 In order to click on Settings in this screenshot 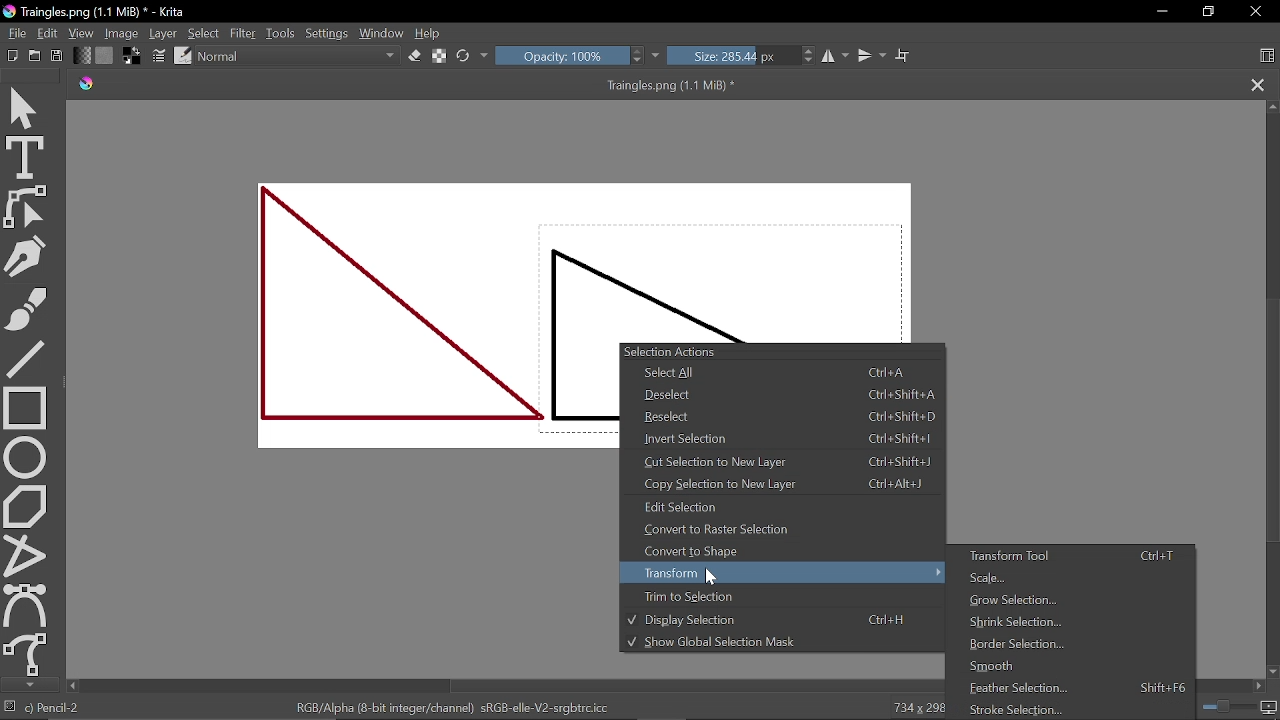, I will do `click(327, 33)`.